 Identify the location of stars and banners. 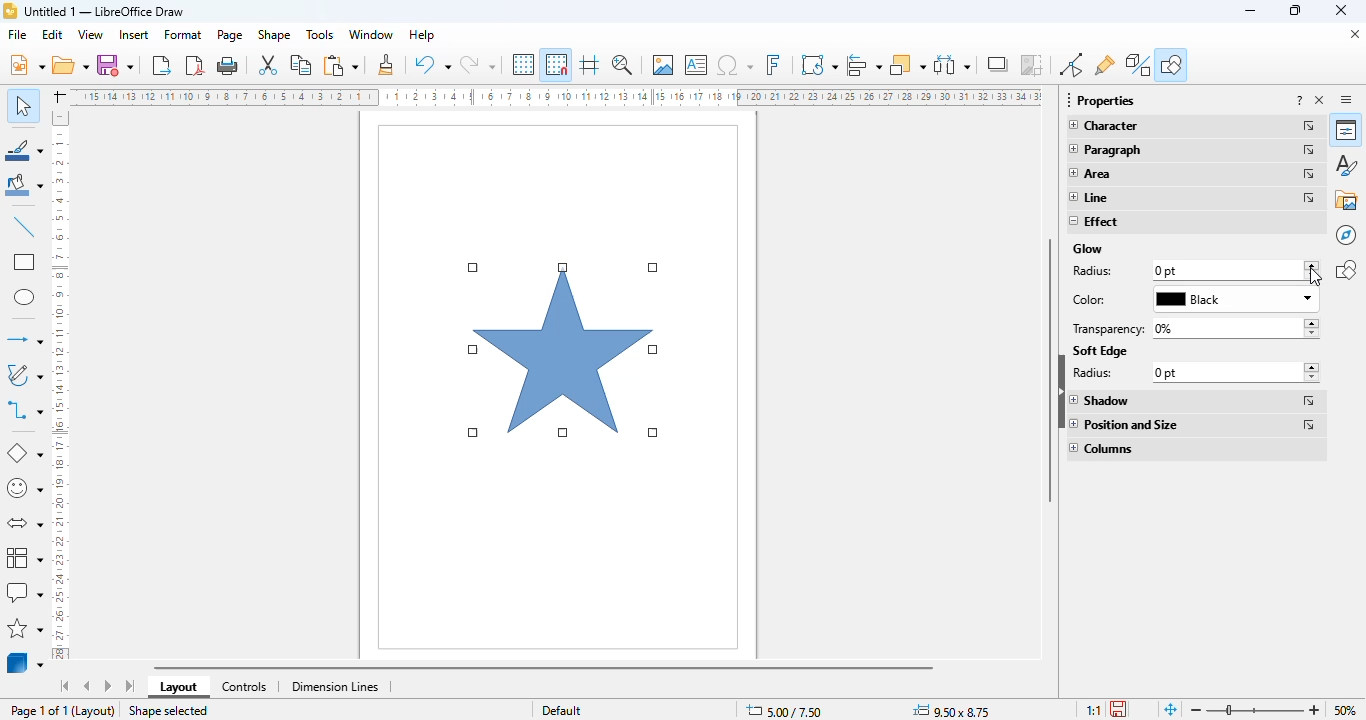
(25, 629).